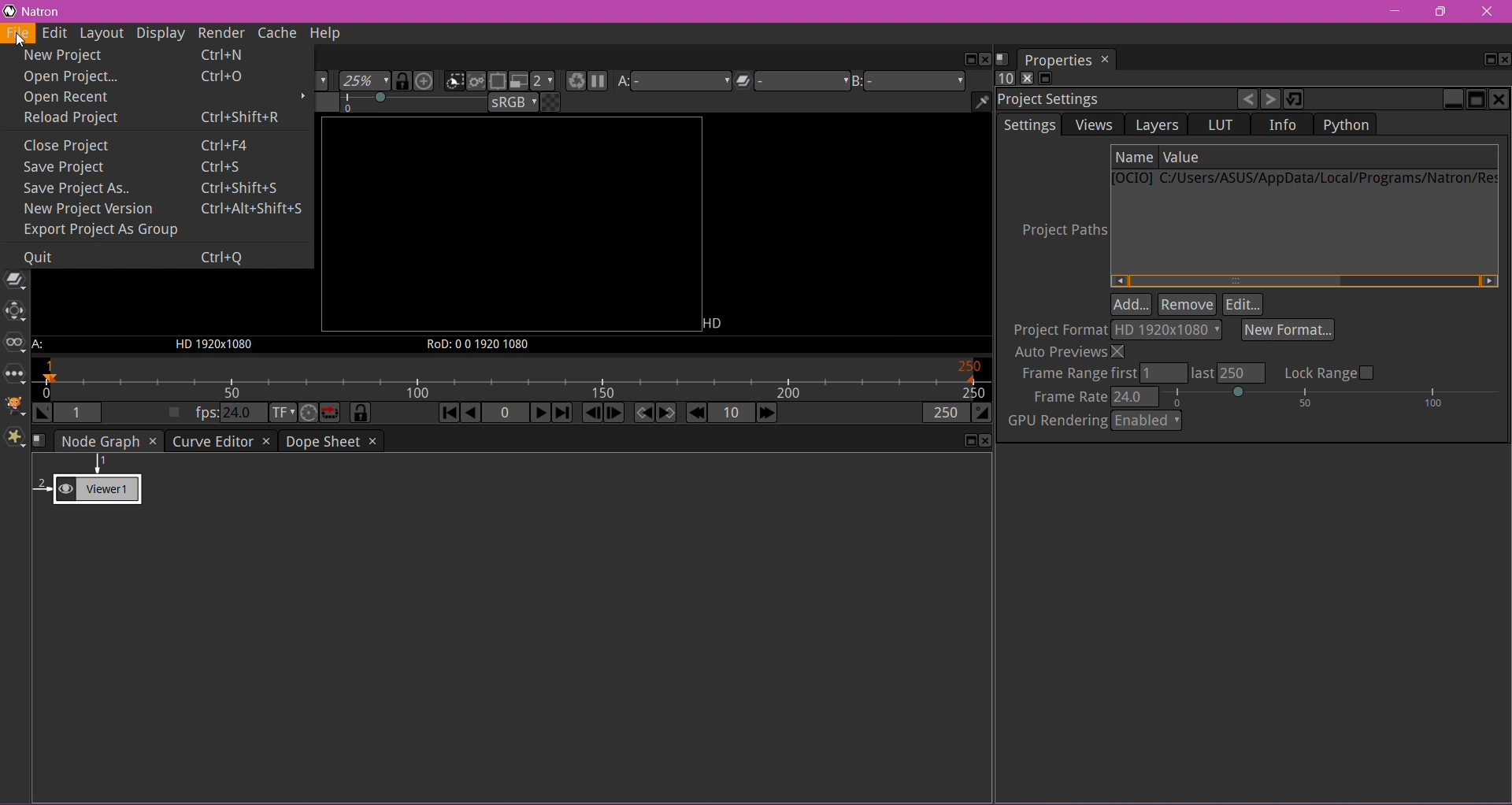 Image resolution: width=1512 pixels, height=805 pixels. I want to click on The playback in point, so click(81, 412).